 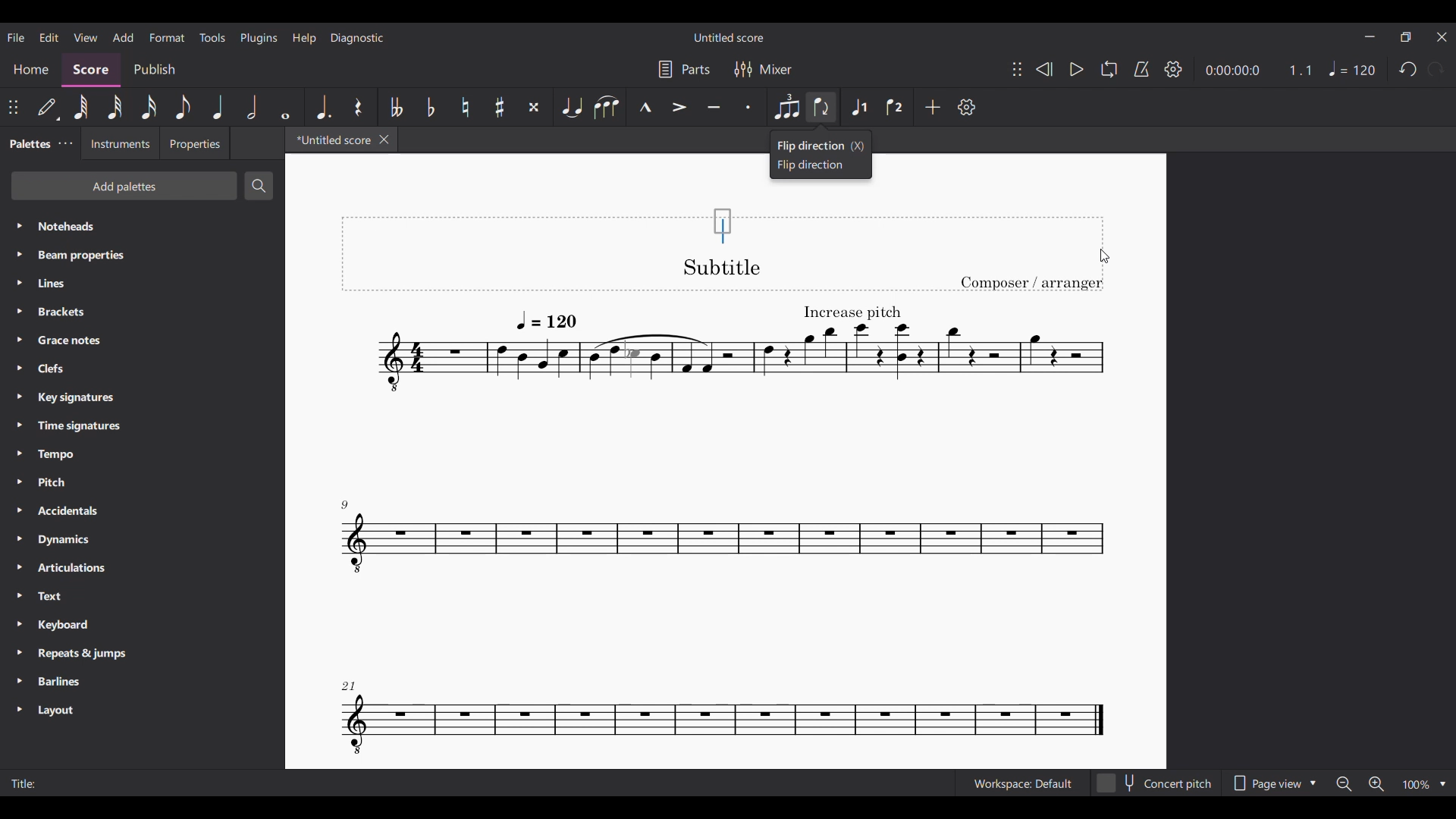 I want to click on Mixer settings, so click(x=764, y=70).